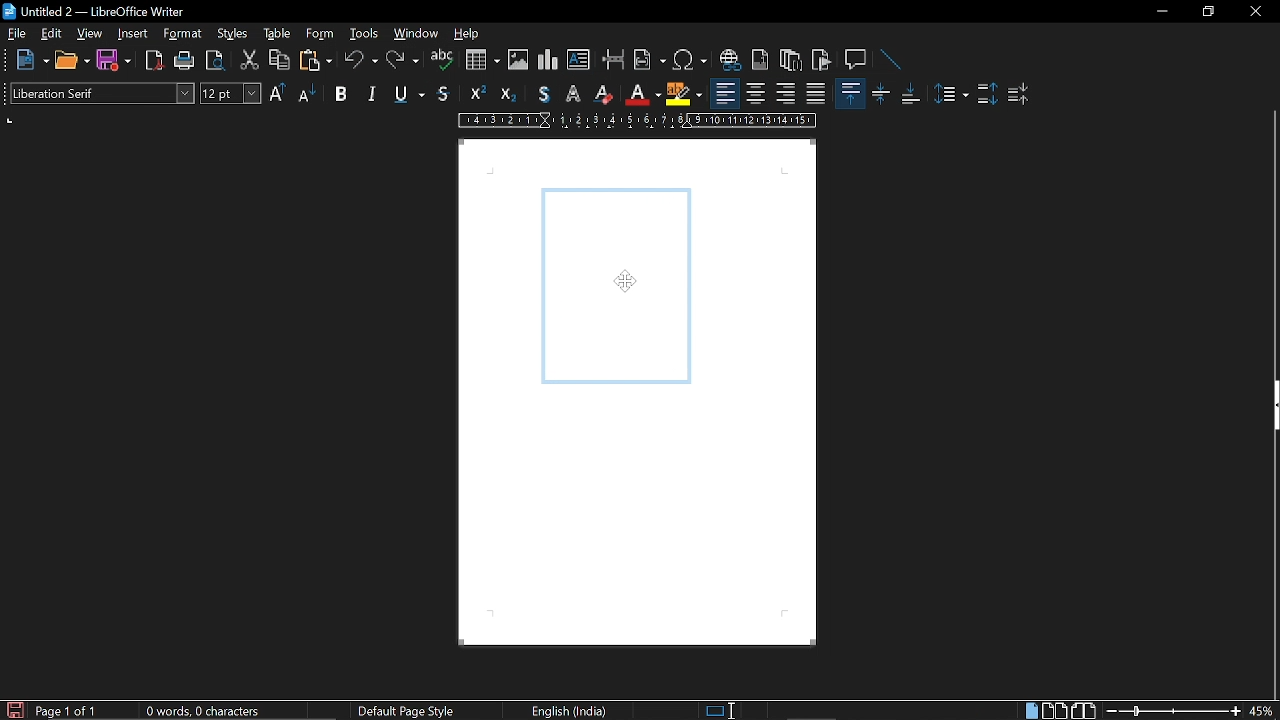 This screenshot has height=720, width=1280. I want to click on align center, so click(759, 94).